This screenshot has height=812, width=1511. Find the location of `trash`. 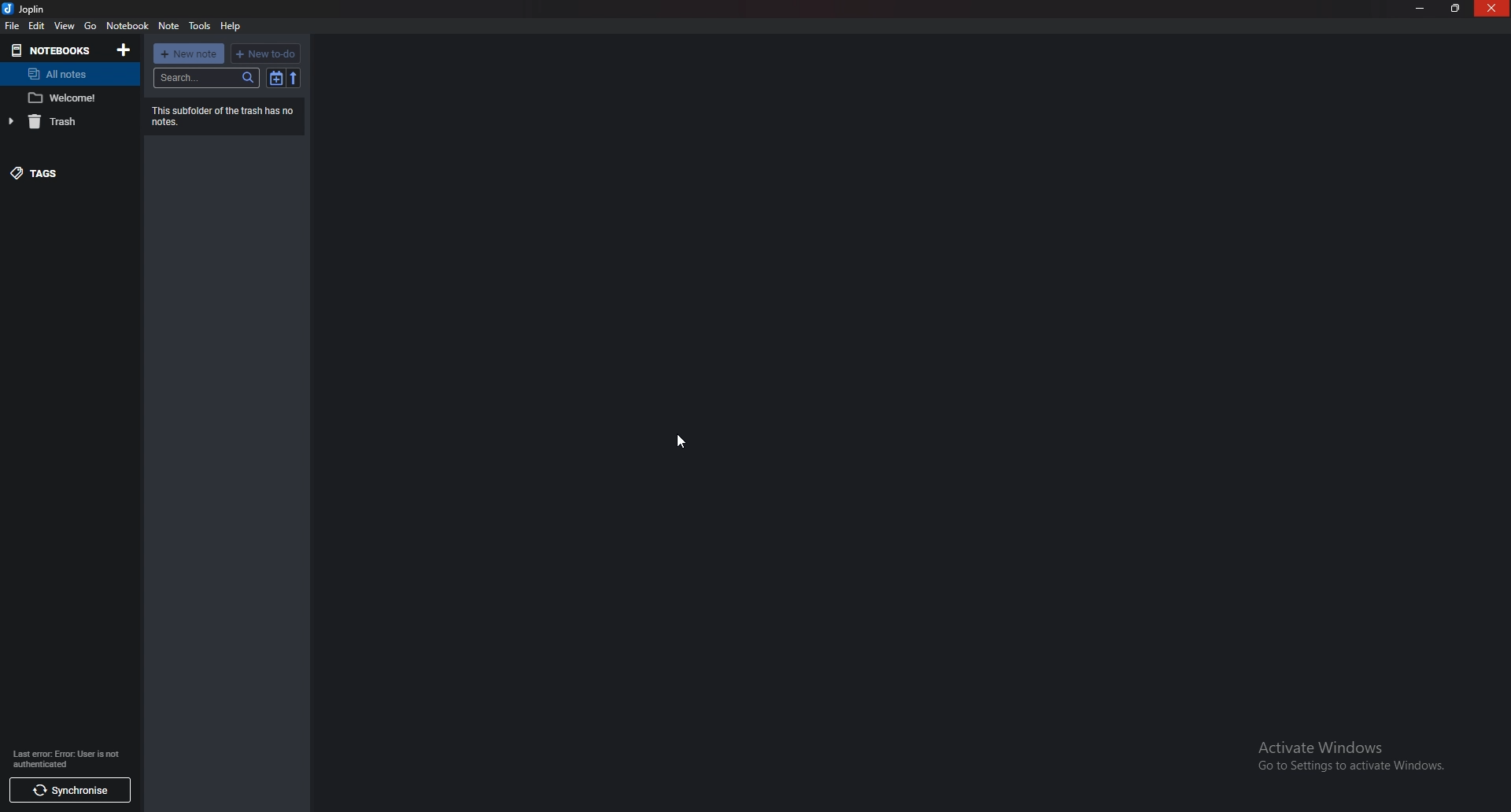

trash is located at coordinates (63, 123).